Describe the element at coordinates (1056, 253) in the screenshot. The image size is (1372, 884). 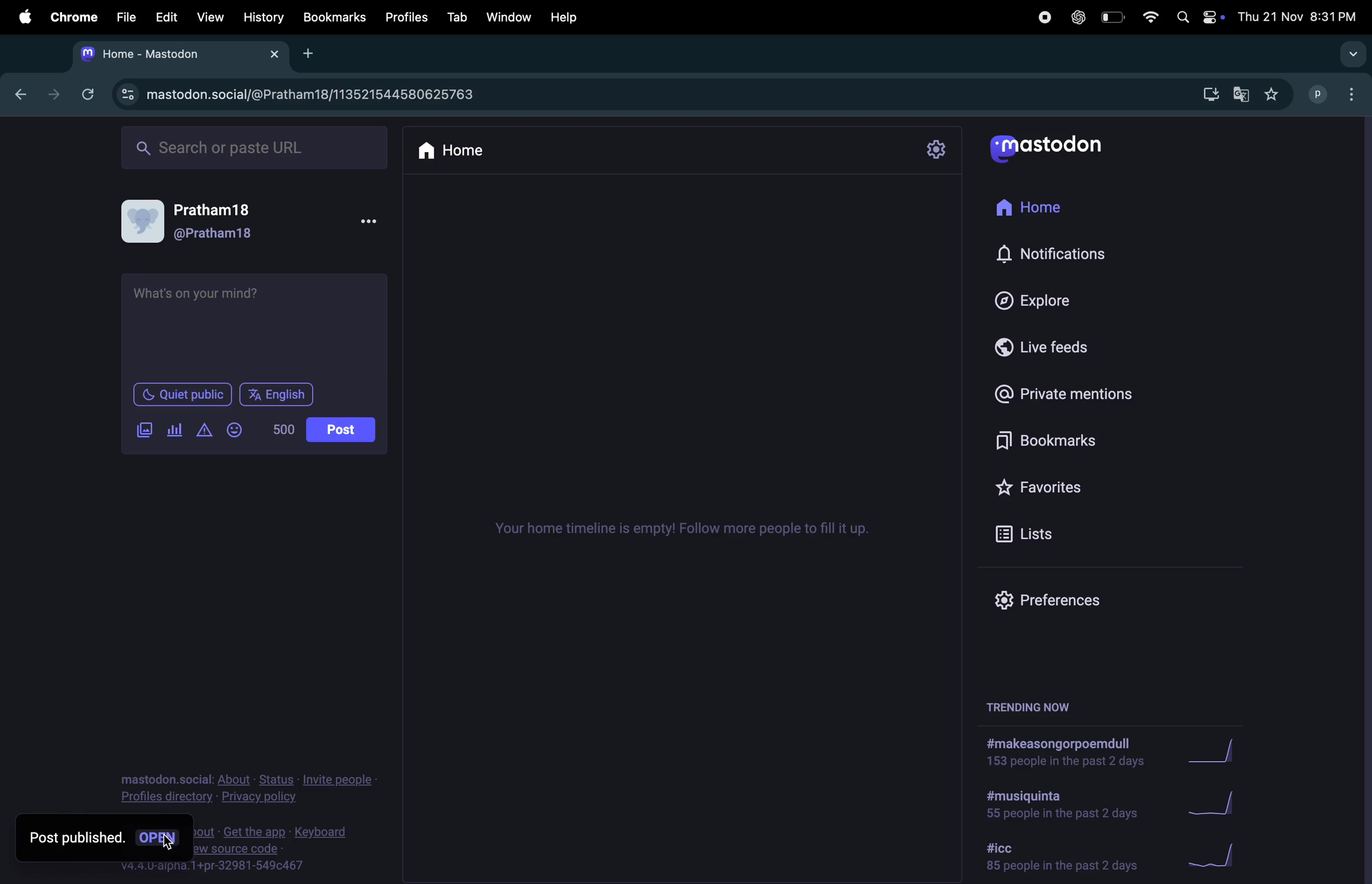
I see `notifications` at that location.